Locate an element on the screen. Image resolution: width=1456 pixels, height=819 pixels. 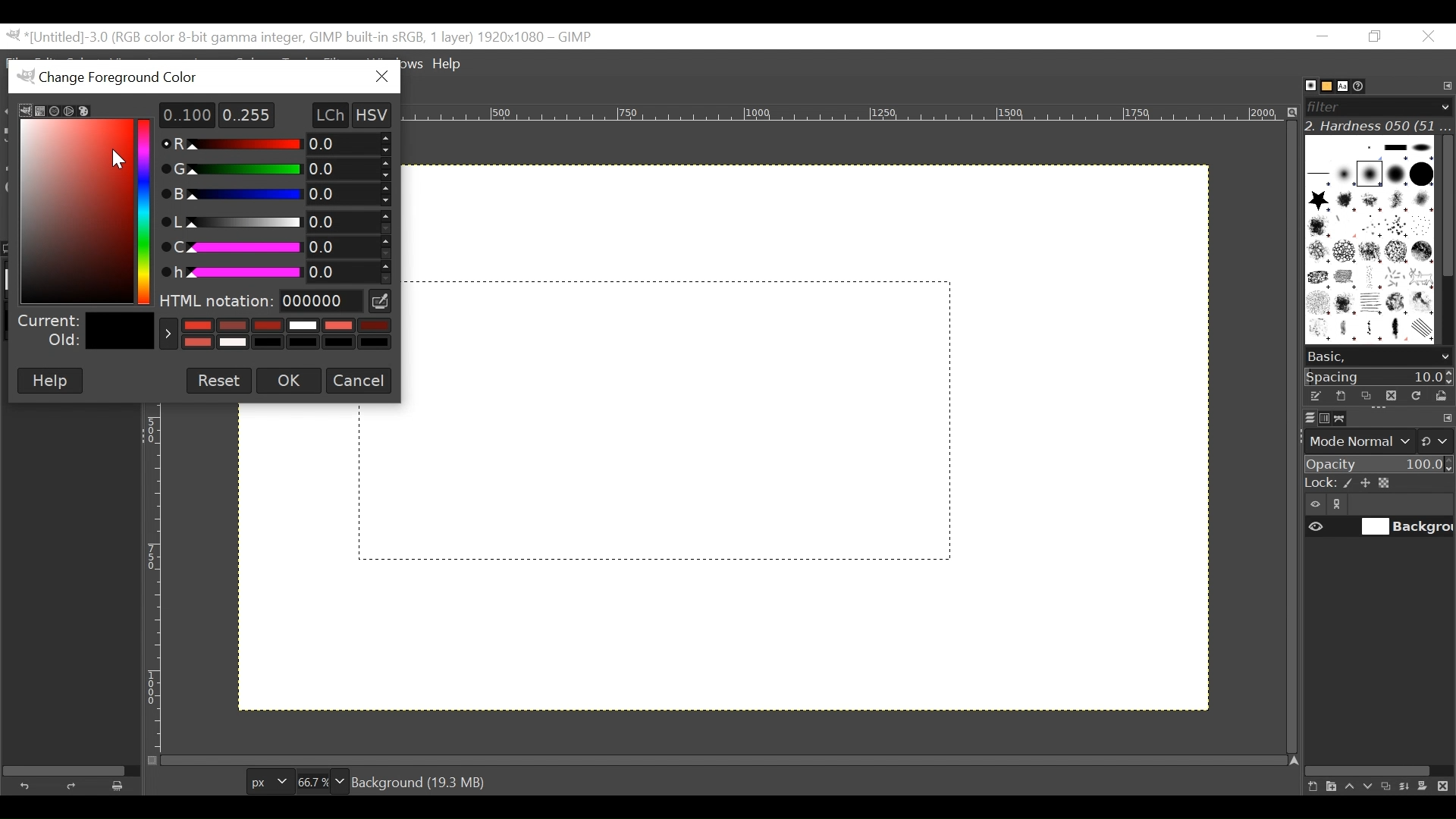
Lock is located at coordinates (1378, 484).